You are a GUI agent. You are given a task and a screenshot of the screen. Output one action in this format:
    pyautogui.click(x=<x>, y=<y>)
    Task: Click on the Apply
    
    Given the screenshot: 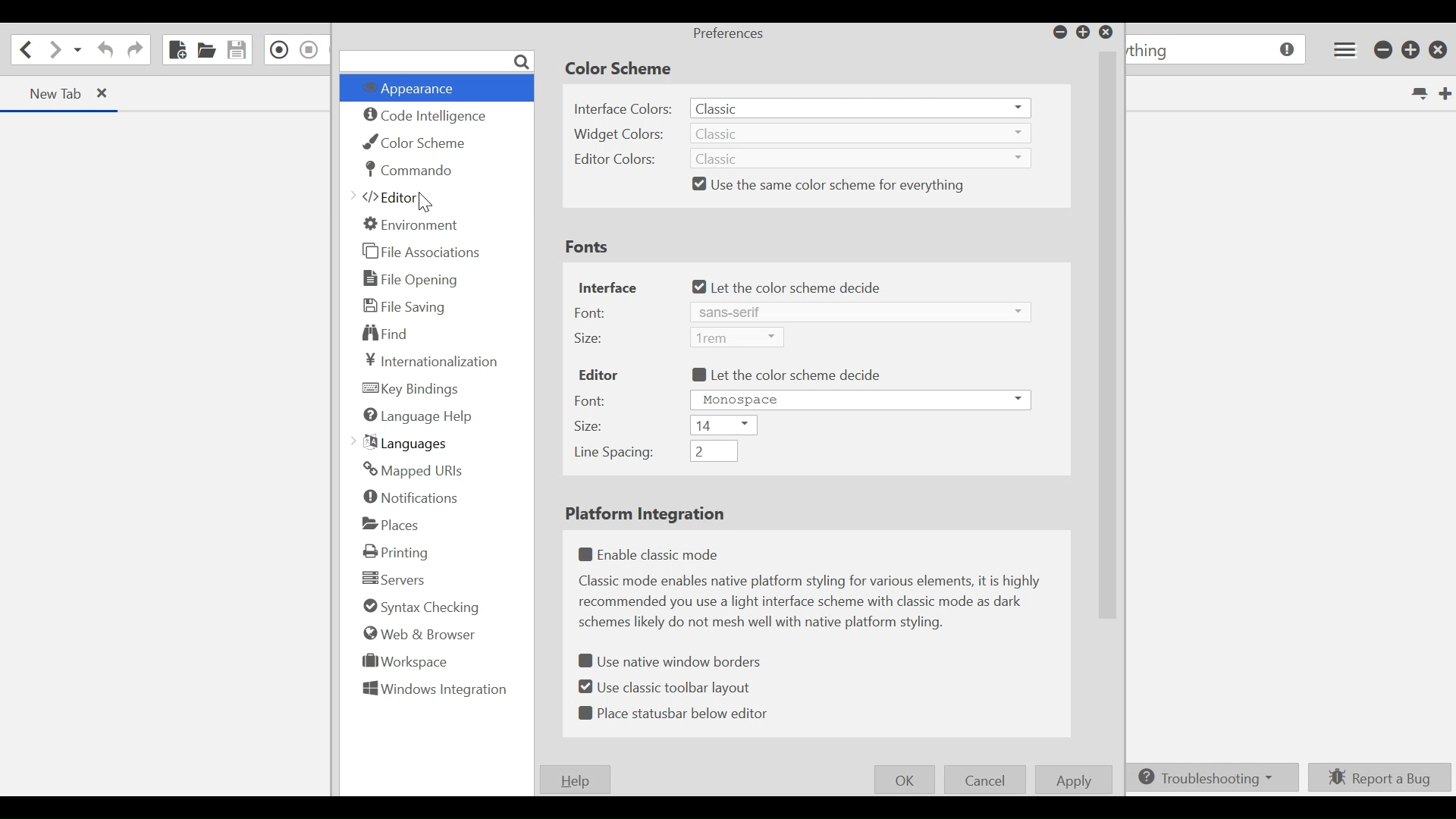 What is the action you would take?
    pyautogui.click(x=1073, y=780)
    